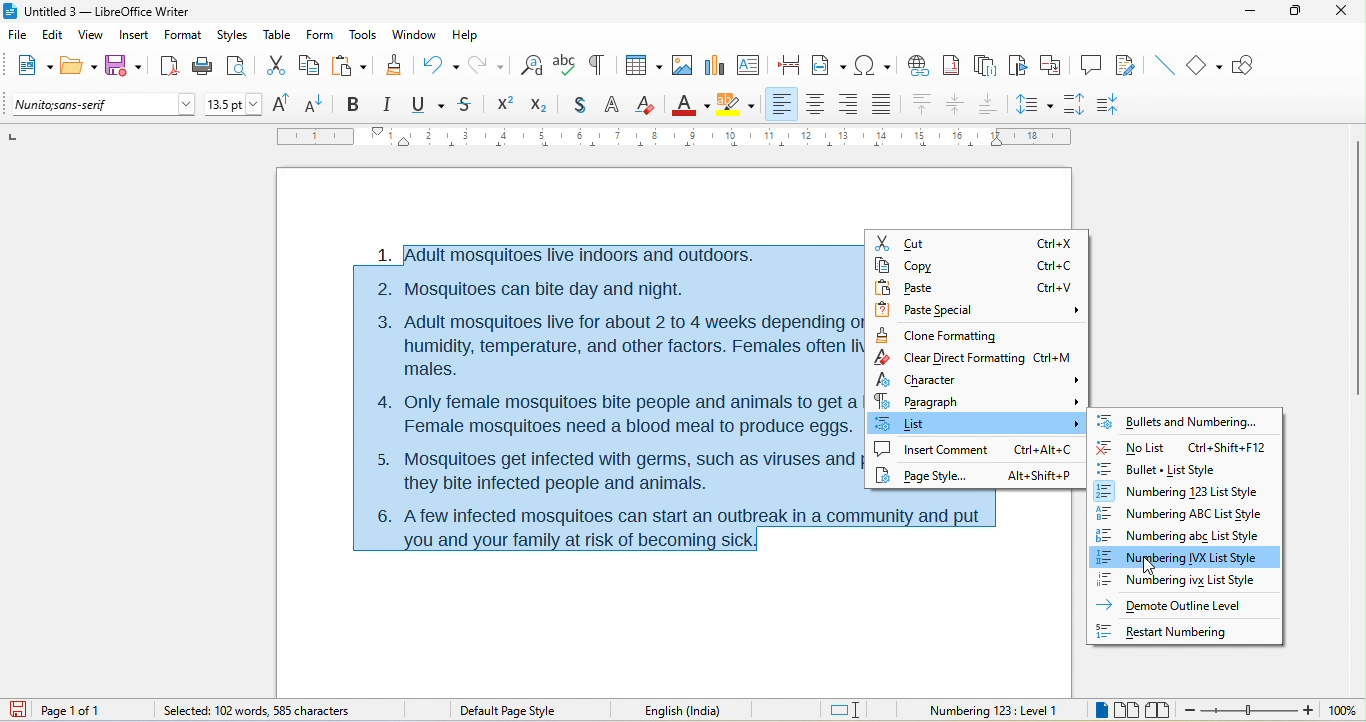 The width and height of the screenshot is (1366, 722). Describe the element at coordinates (885, 107) in the screenshot. I see `justified` at that location.